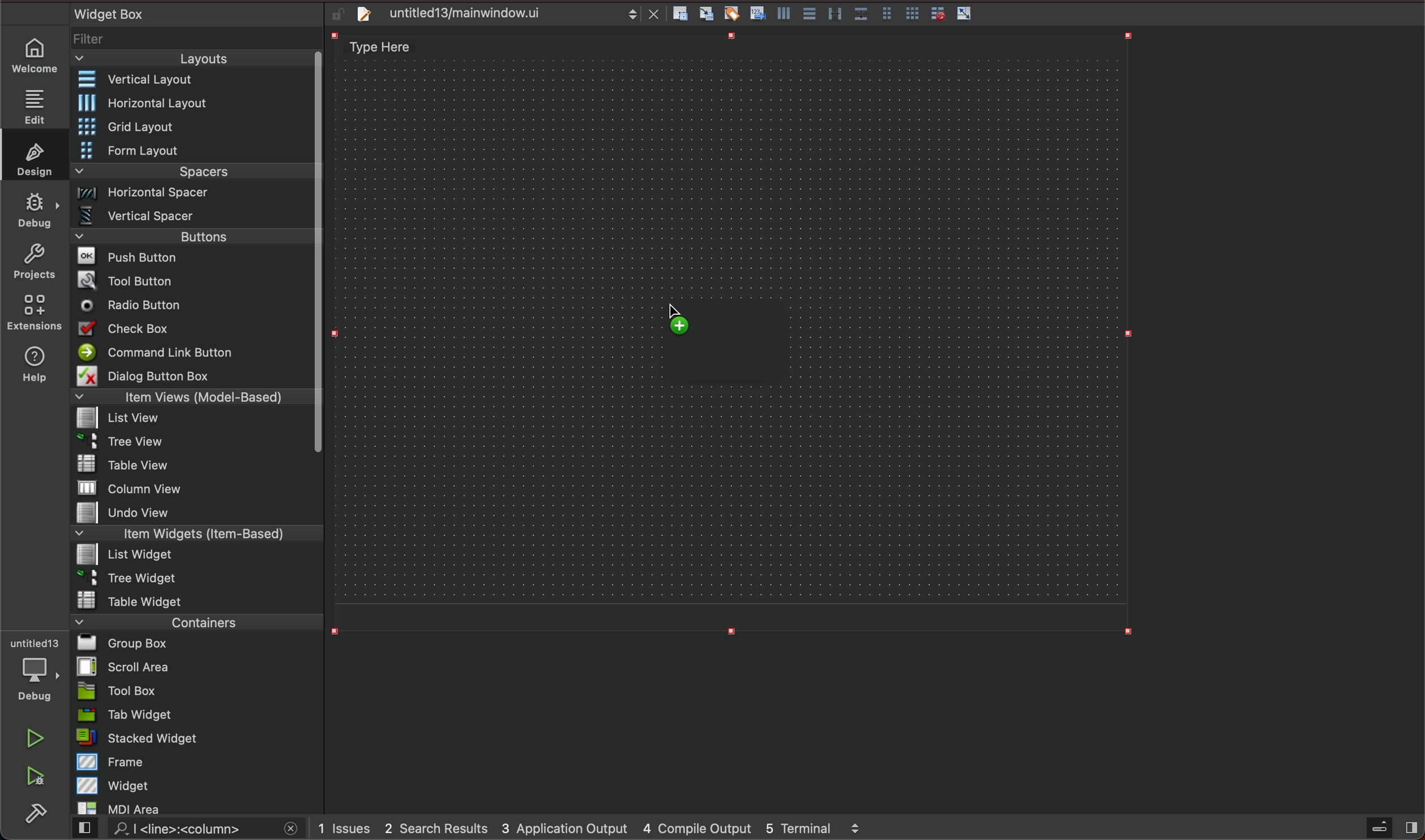 Image resolution: width=1425 pixels, height=840 pixels. What do you see at coordinates (833, 13) in the screenshot?
I see `vertical` at bounding box center [833, 13].